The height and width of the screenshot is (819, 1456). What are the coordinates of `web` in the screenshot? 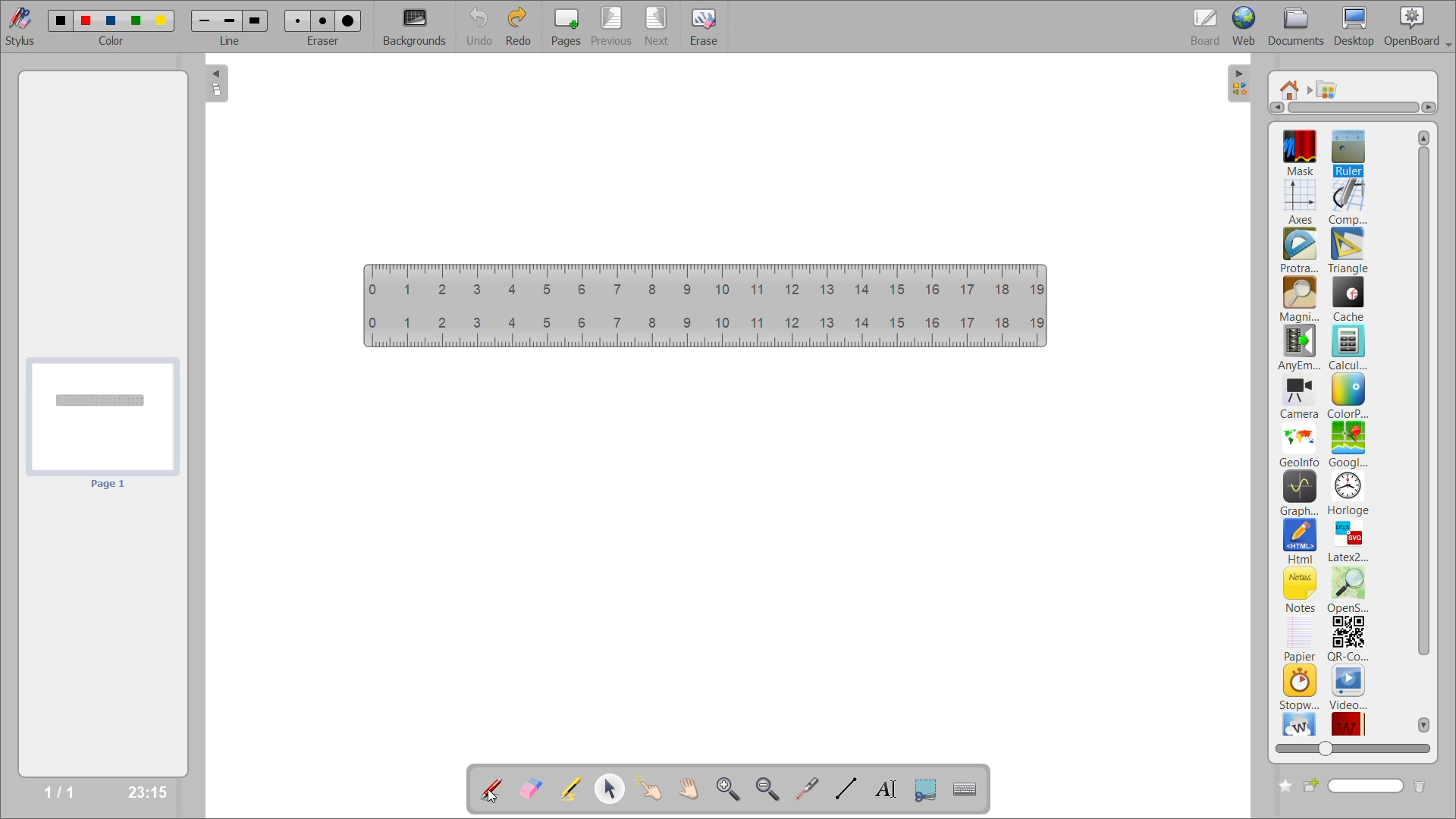 It's located at (1246, 25).